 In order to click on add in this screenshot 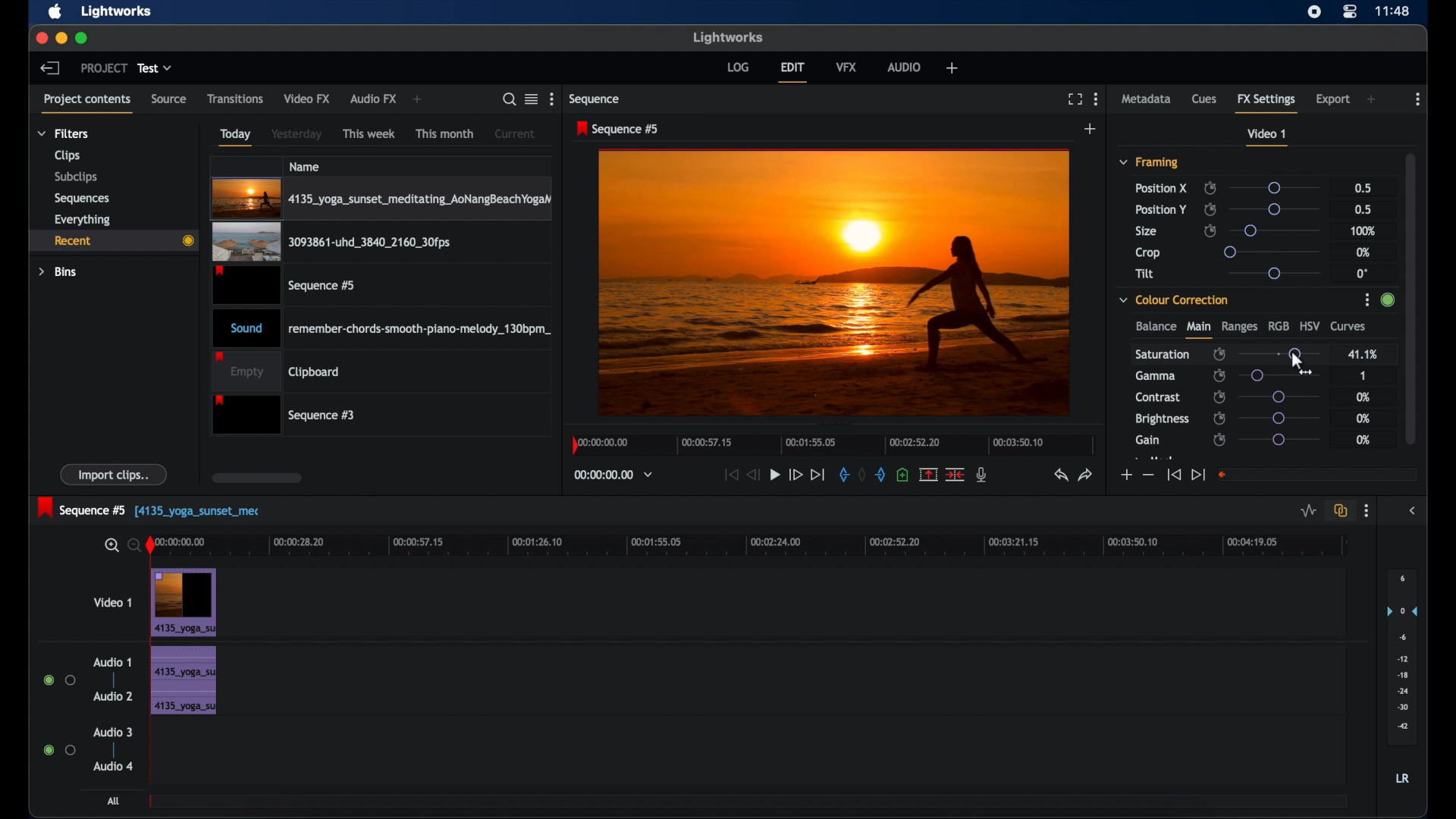, I will do `click(951, 67)`.